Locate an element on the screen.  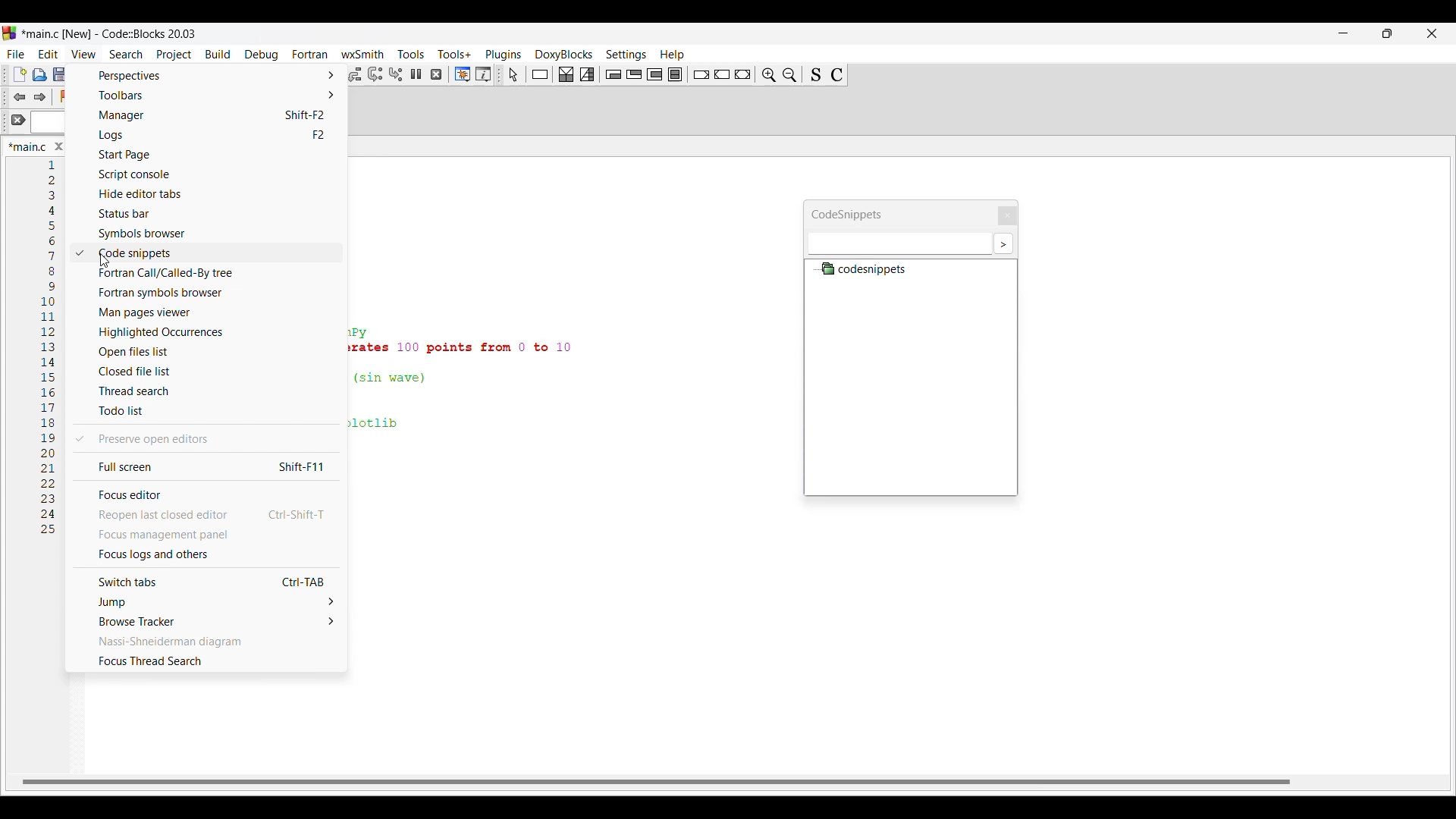
Jump options is located at coordinates (207, 602).